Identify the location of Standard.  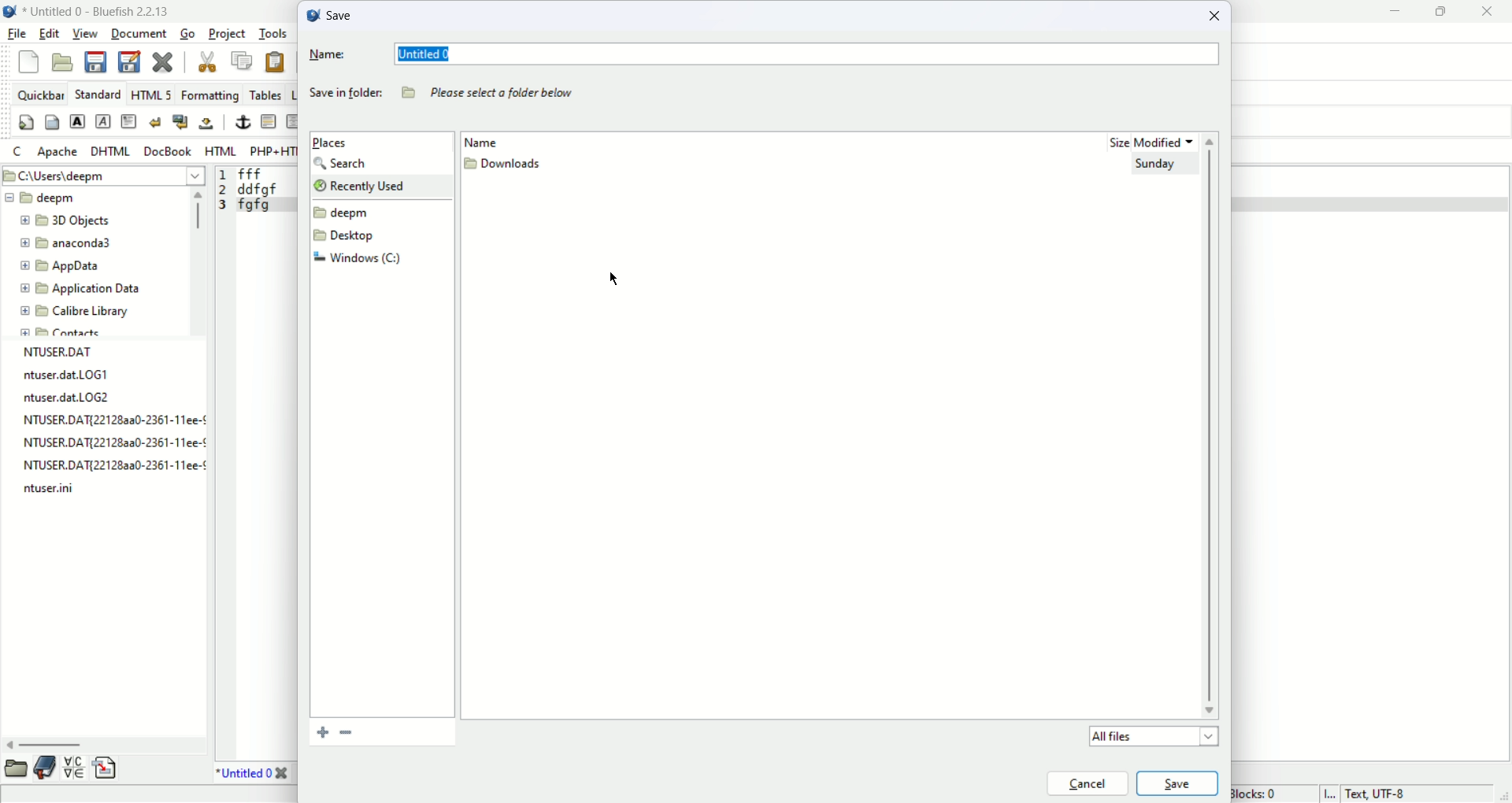
(100, 94).